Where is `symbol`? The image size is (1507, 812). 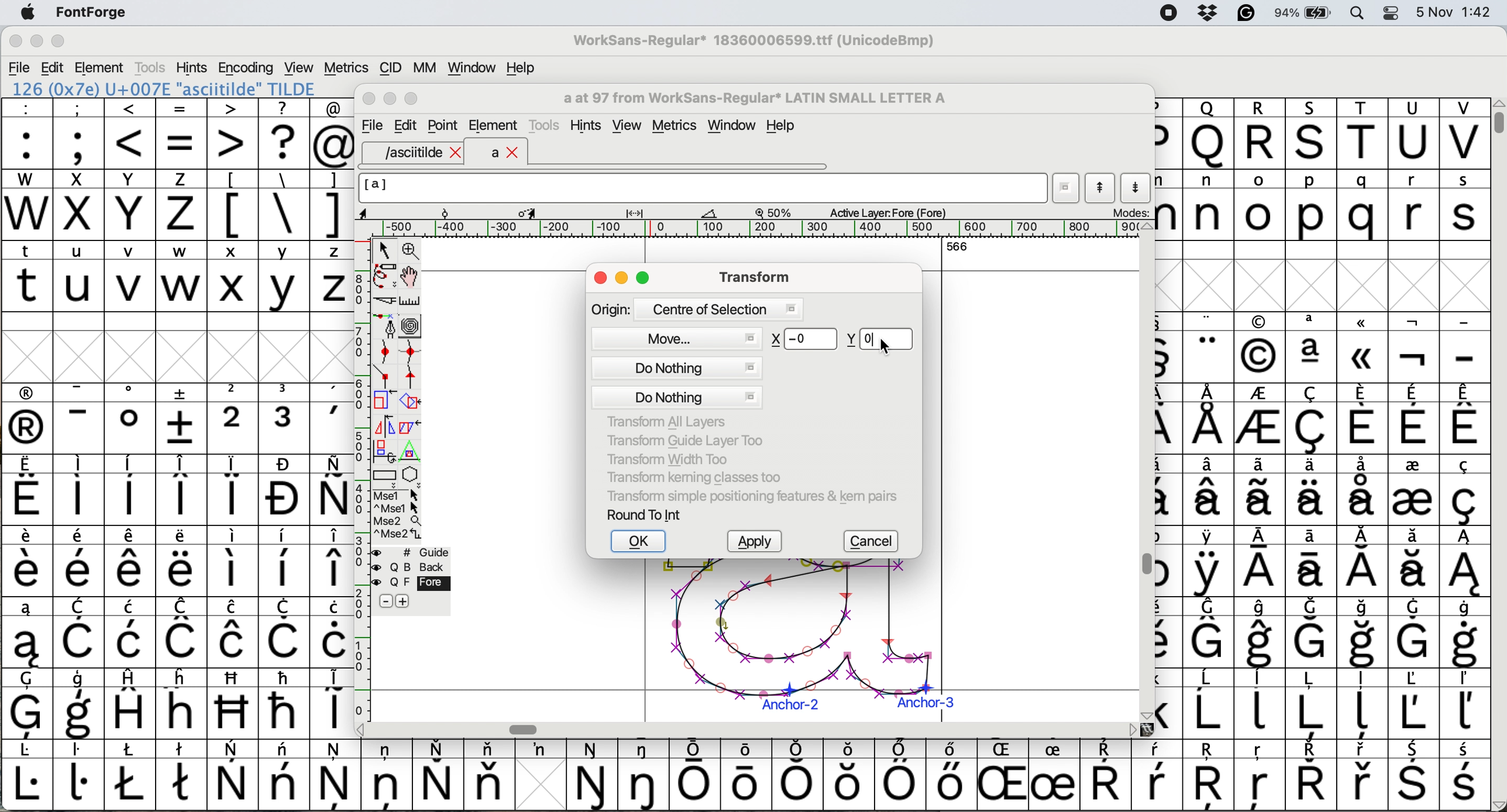
symbol is located at coordinates (489, 774).